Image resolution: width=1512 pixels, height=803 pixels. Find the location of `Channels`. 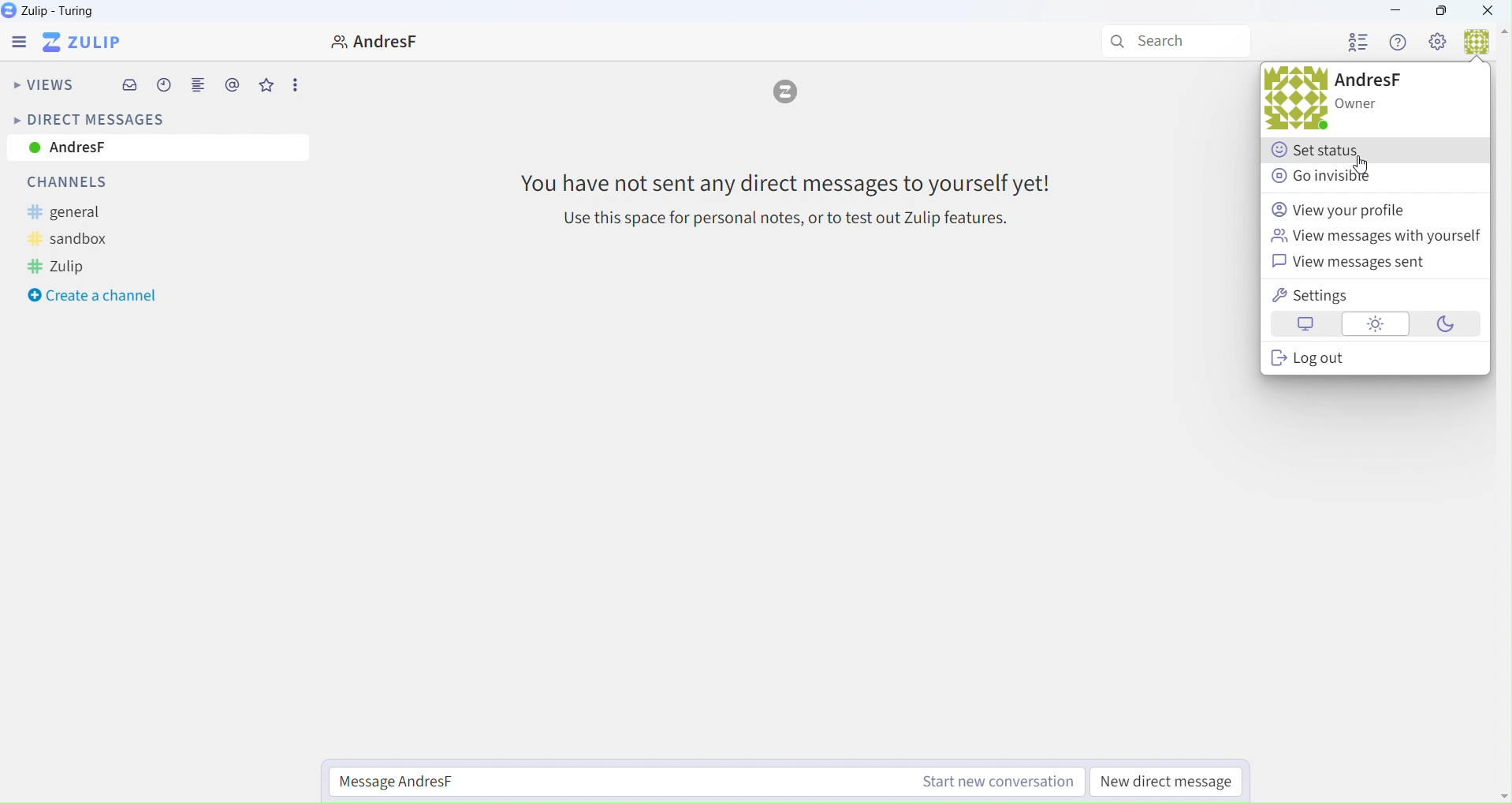

Channels is located at coordinates (79, 182).